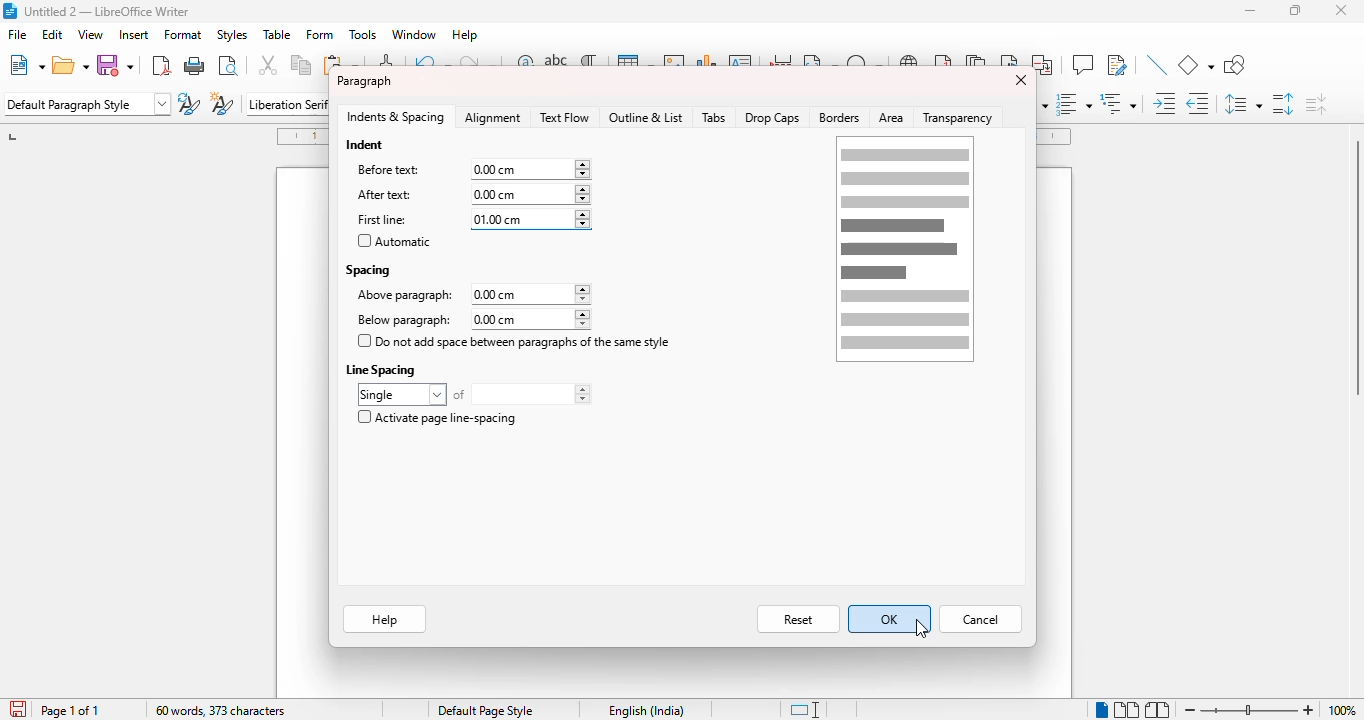  Describe the element at coordinates (183, 35) in the screenshot. I see `format` at that location.